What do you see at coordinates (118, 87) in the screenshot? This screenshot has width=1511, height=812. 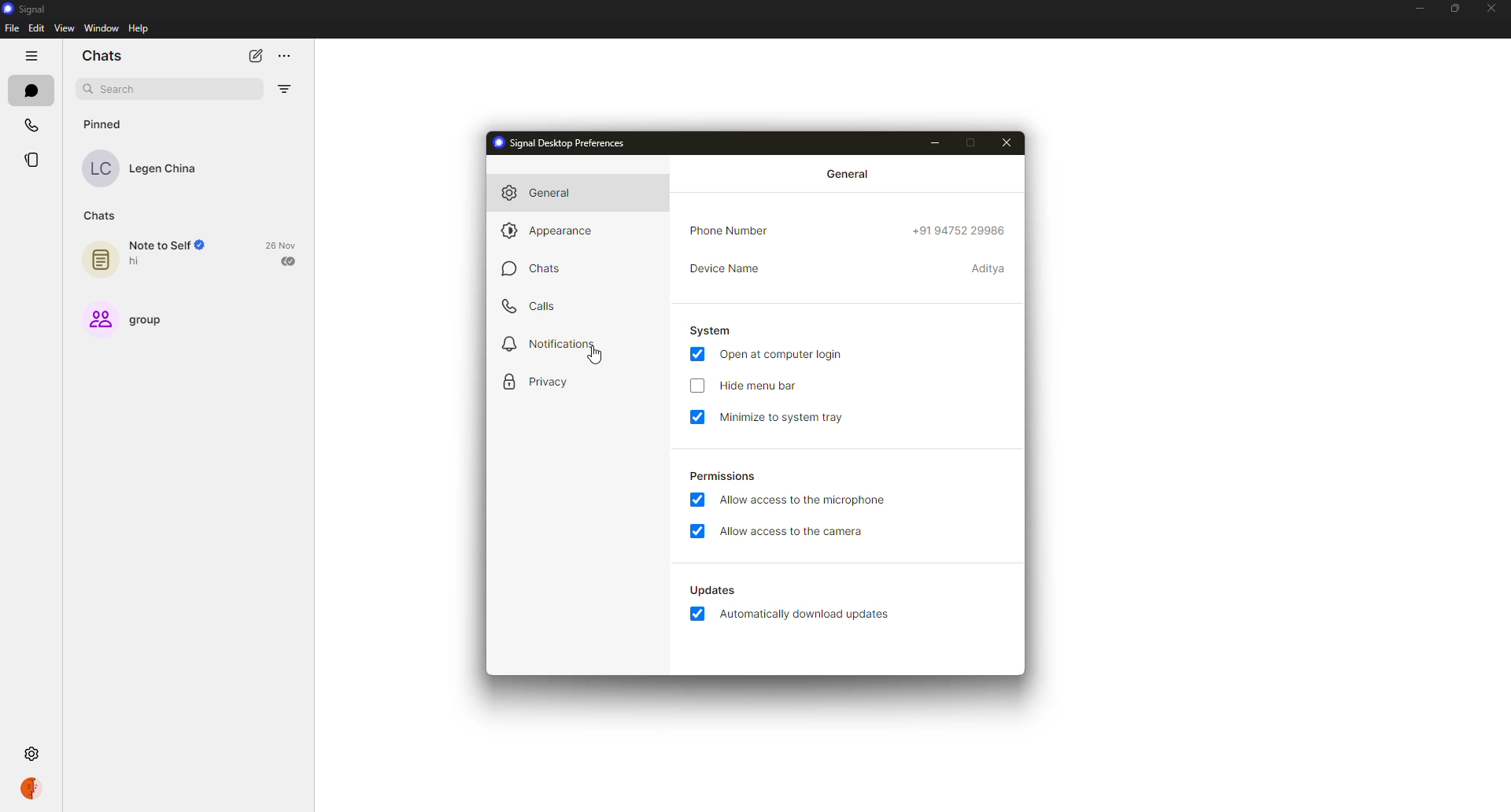 I see `search` at bounding box center [118, 87].